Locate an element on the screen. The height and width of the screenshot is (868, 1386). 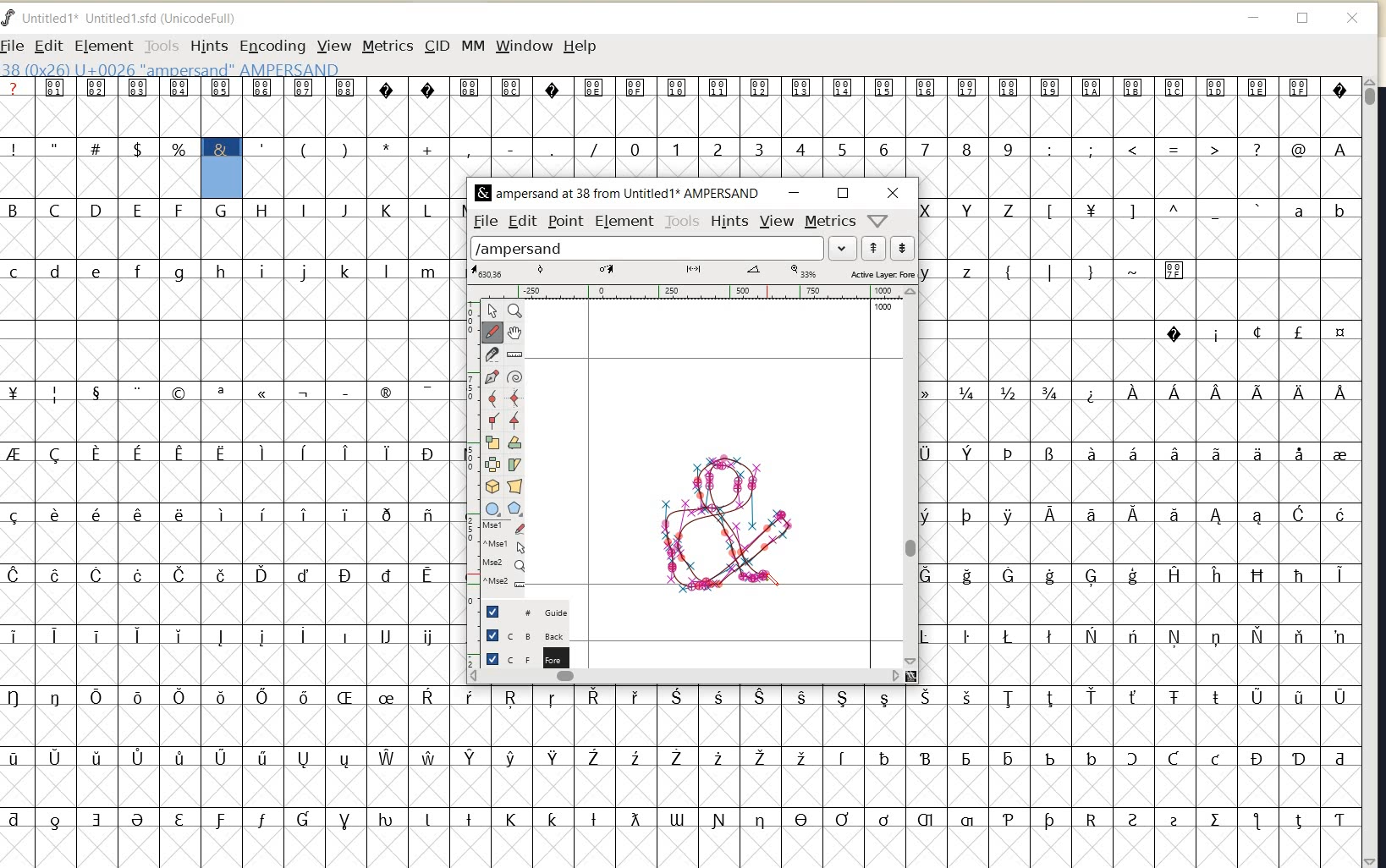
MM is located at coordinates (471, 45).